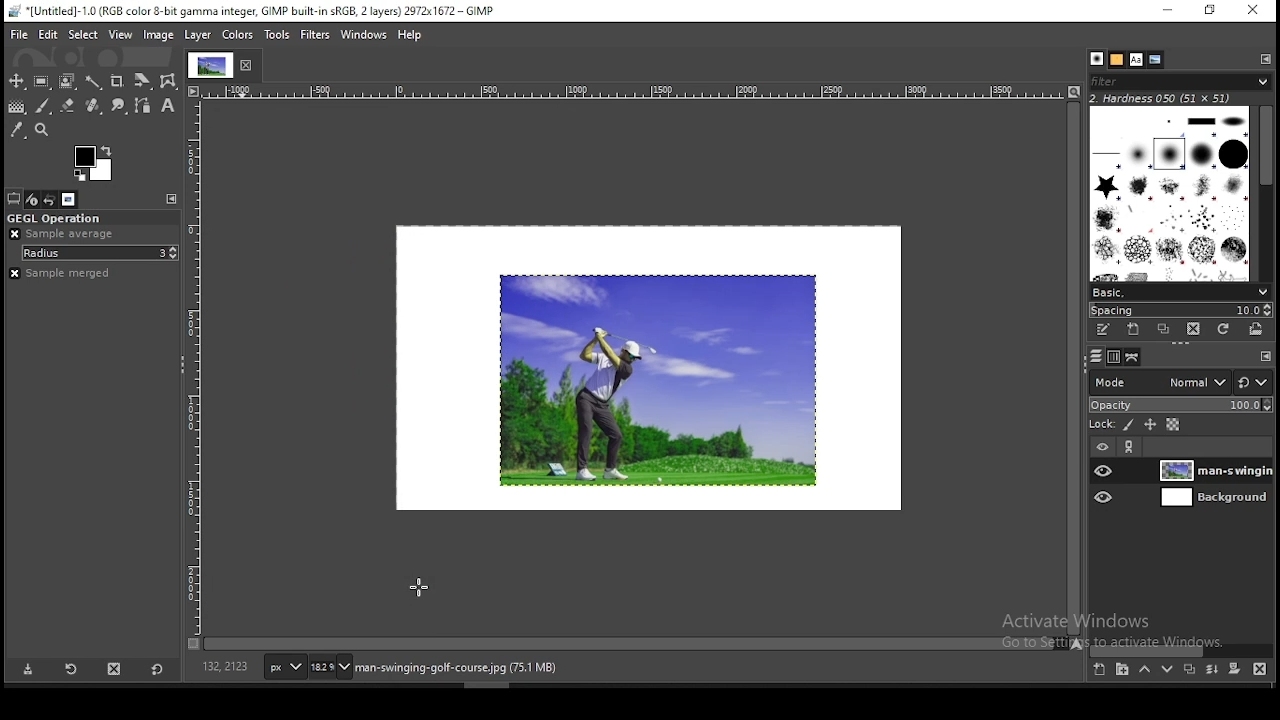  Describe the element at coordinates (1151, 425) in the screenshot. I see `lock size and position` at that location.